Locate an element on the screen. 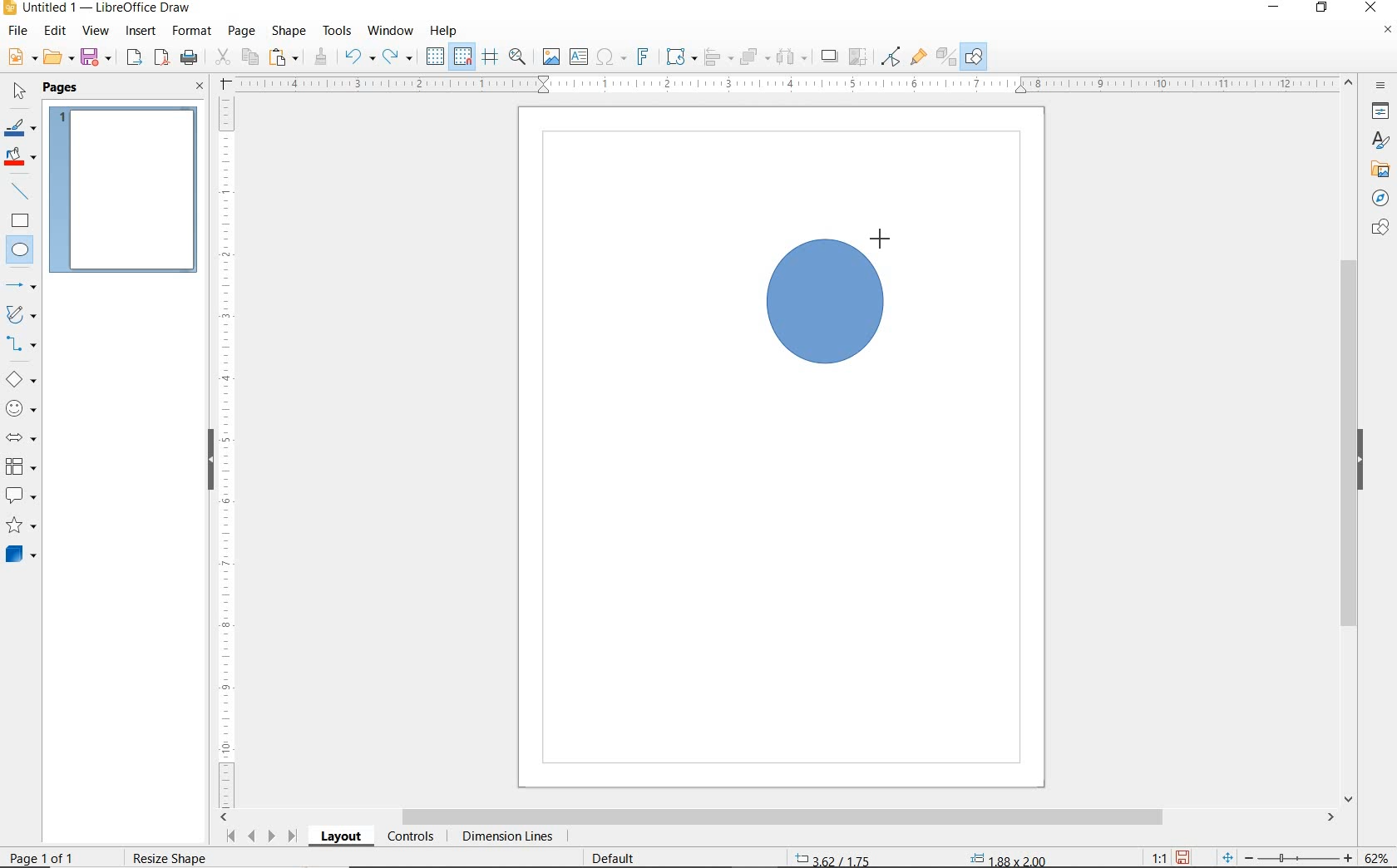  SYMBOL SHAPES is located at coordinates (22, 408).